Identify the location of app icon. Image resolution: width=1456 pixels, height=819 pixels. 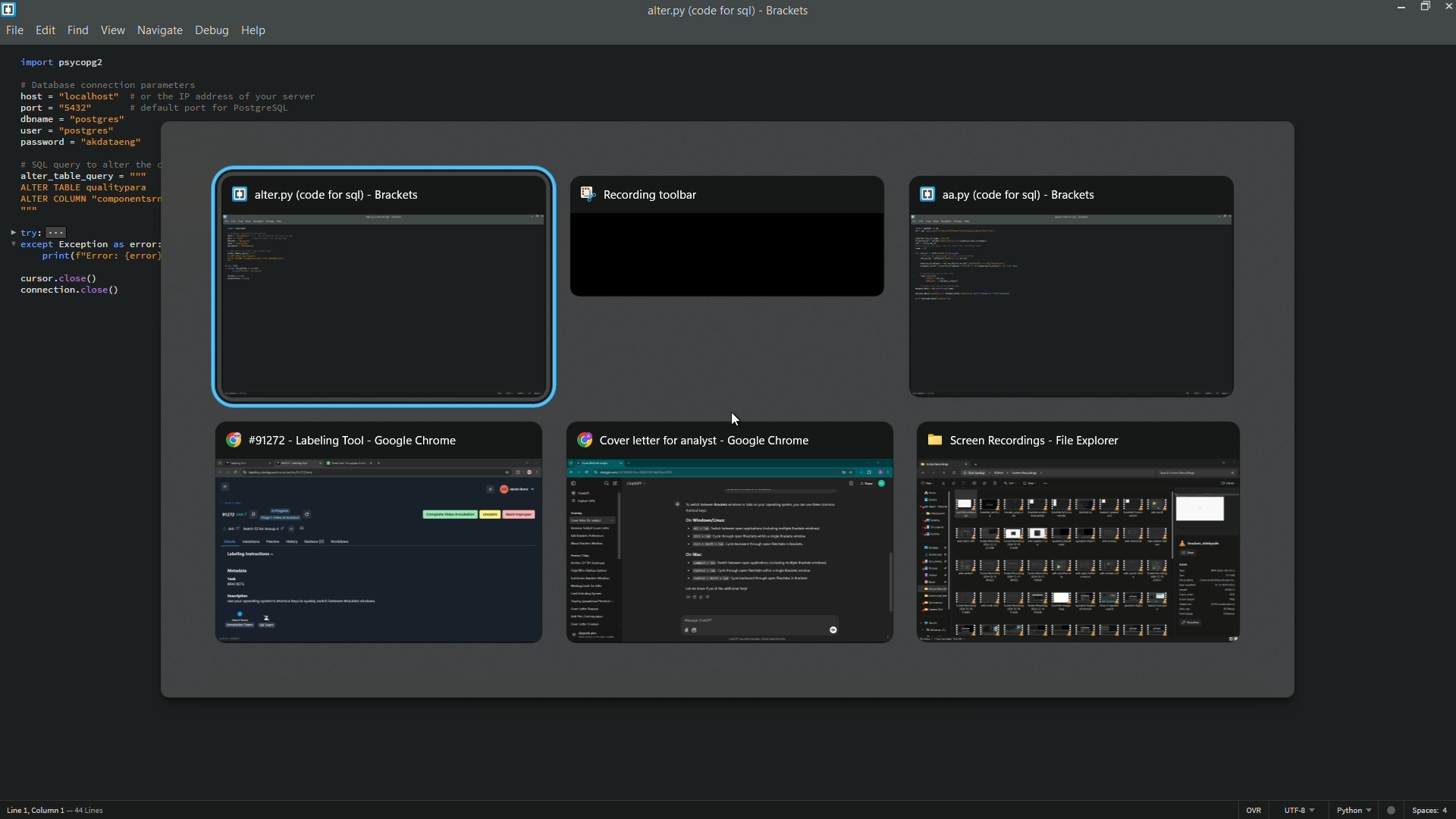
(9, 9).